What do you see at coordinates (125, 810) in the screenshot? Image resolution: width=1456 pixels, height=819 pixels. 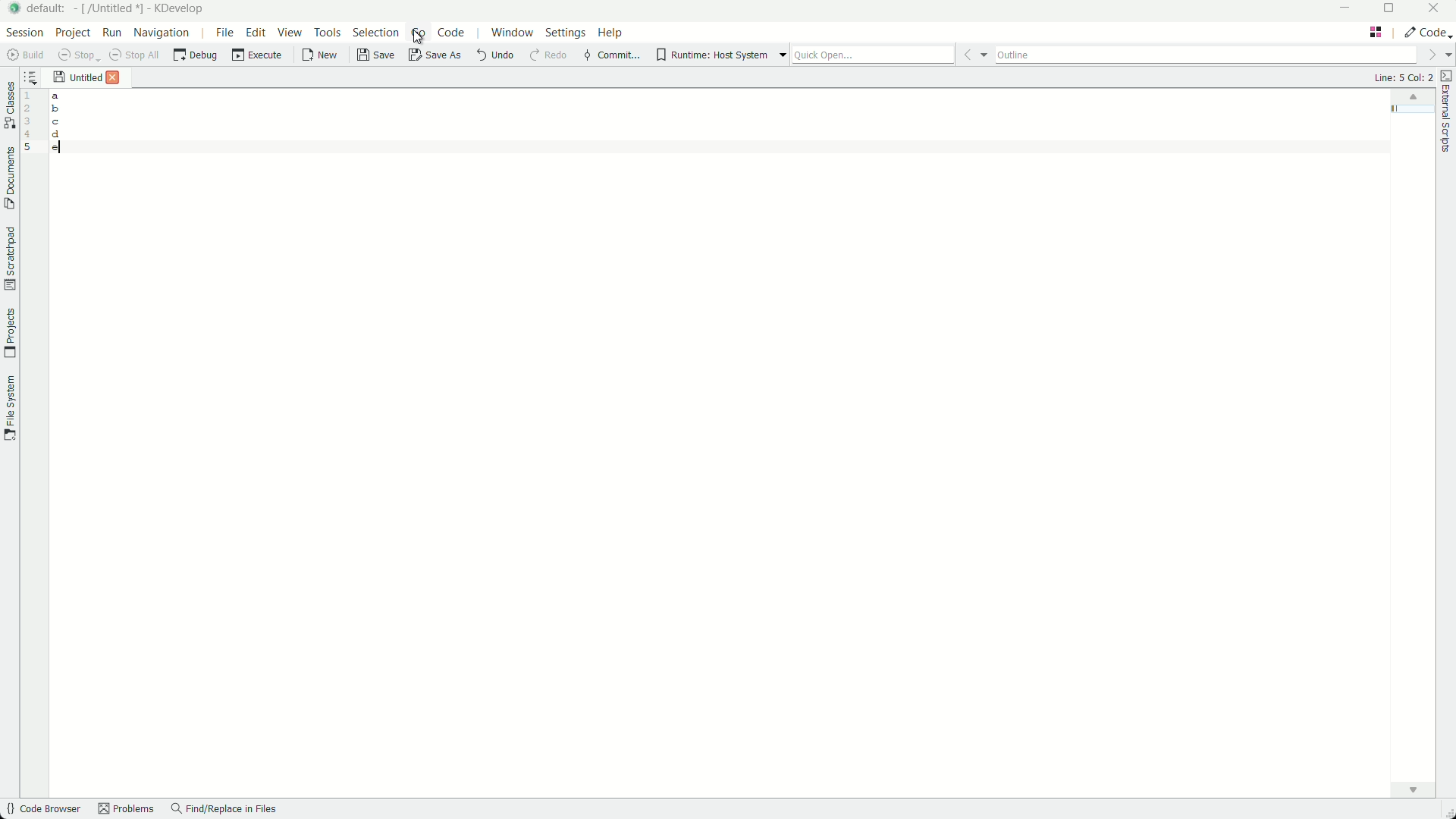 I see `problems` at bounding box center [125, 810].